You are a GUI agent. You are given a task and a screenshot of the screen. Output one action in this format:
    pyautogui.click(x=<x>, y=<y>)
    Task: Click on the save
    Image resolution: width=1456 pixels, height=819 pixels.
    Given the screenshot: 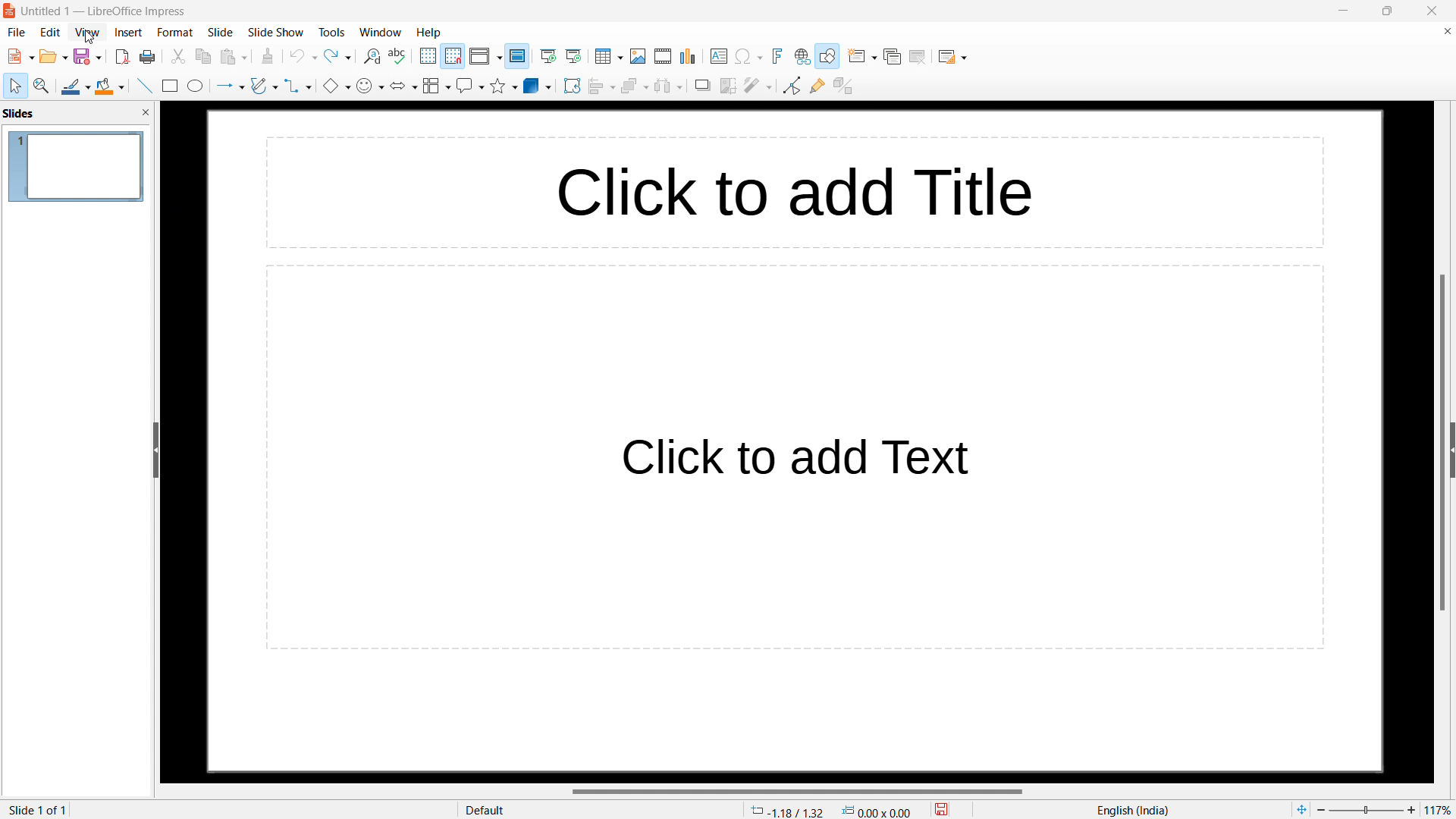 What is the action you would take?
    pyautogui.click(x=942, y=808)
    